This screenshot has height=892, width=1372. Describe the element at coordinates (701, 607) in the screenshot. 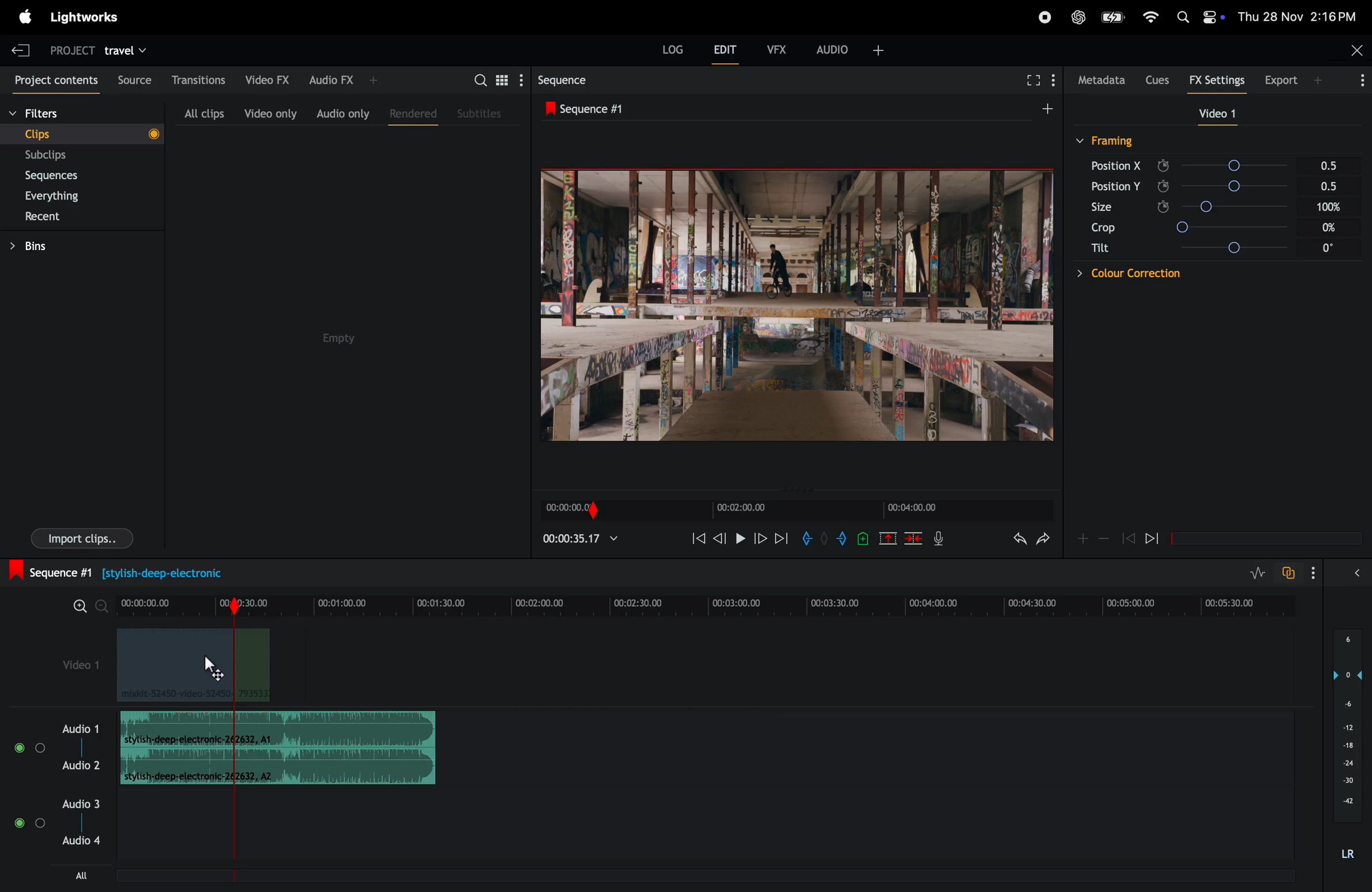

I see `time frame` at that location.